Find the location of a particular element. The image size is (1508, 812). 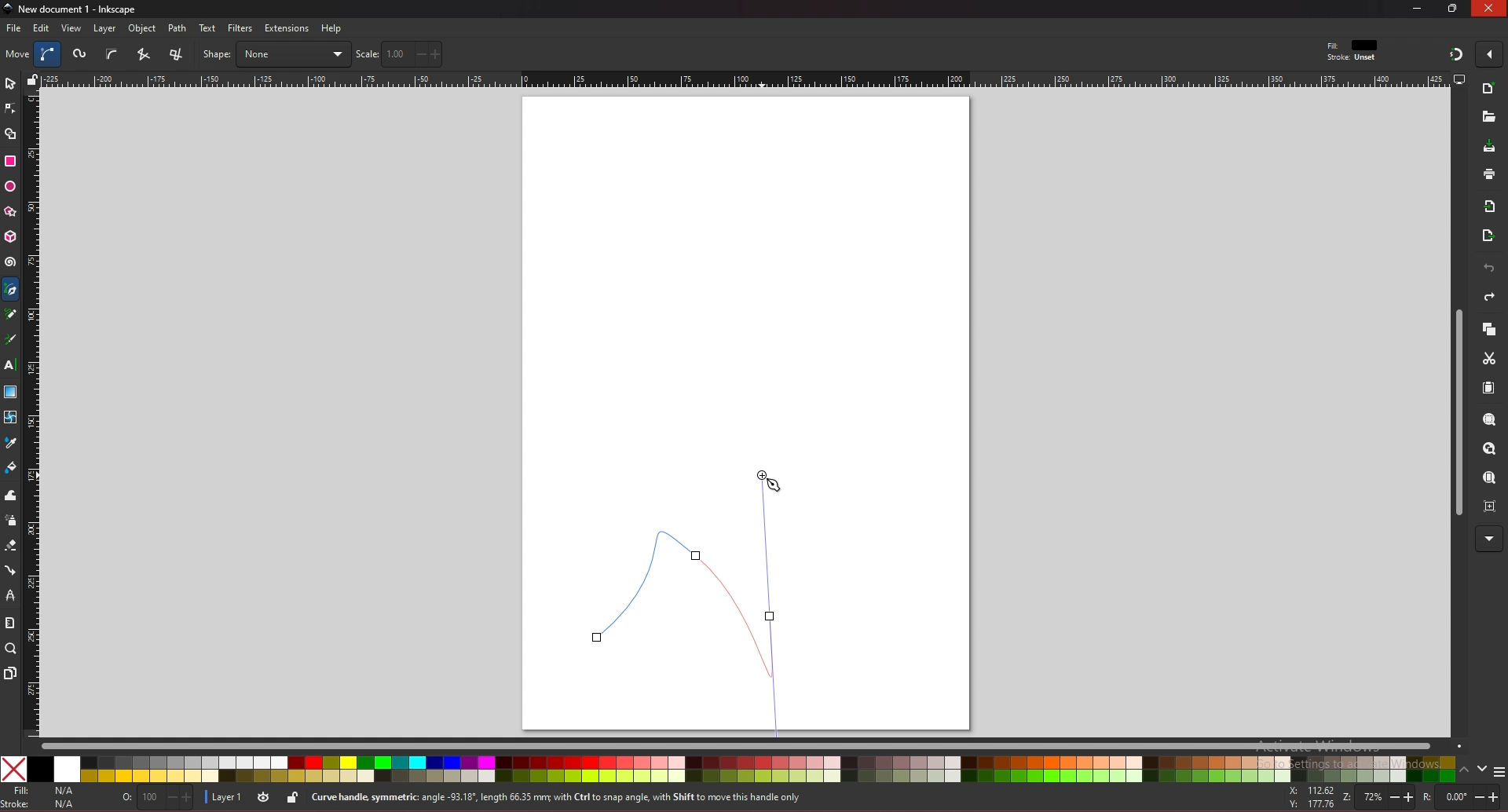

pen is located at coordinates (13, 290).